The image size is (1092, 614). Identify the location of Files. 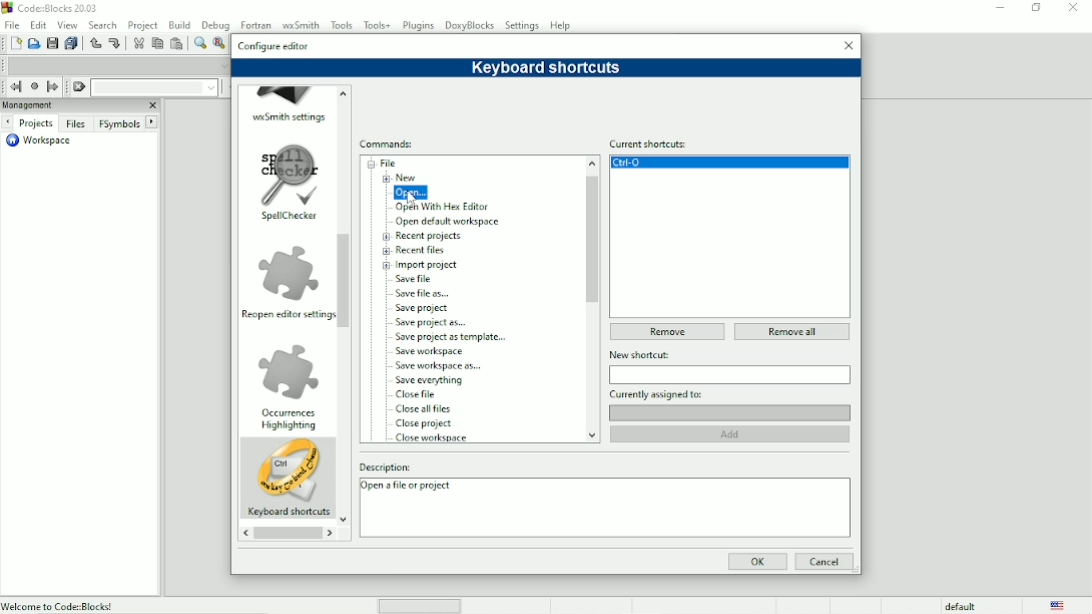
(76, 125).